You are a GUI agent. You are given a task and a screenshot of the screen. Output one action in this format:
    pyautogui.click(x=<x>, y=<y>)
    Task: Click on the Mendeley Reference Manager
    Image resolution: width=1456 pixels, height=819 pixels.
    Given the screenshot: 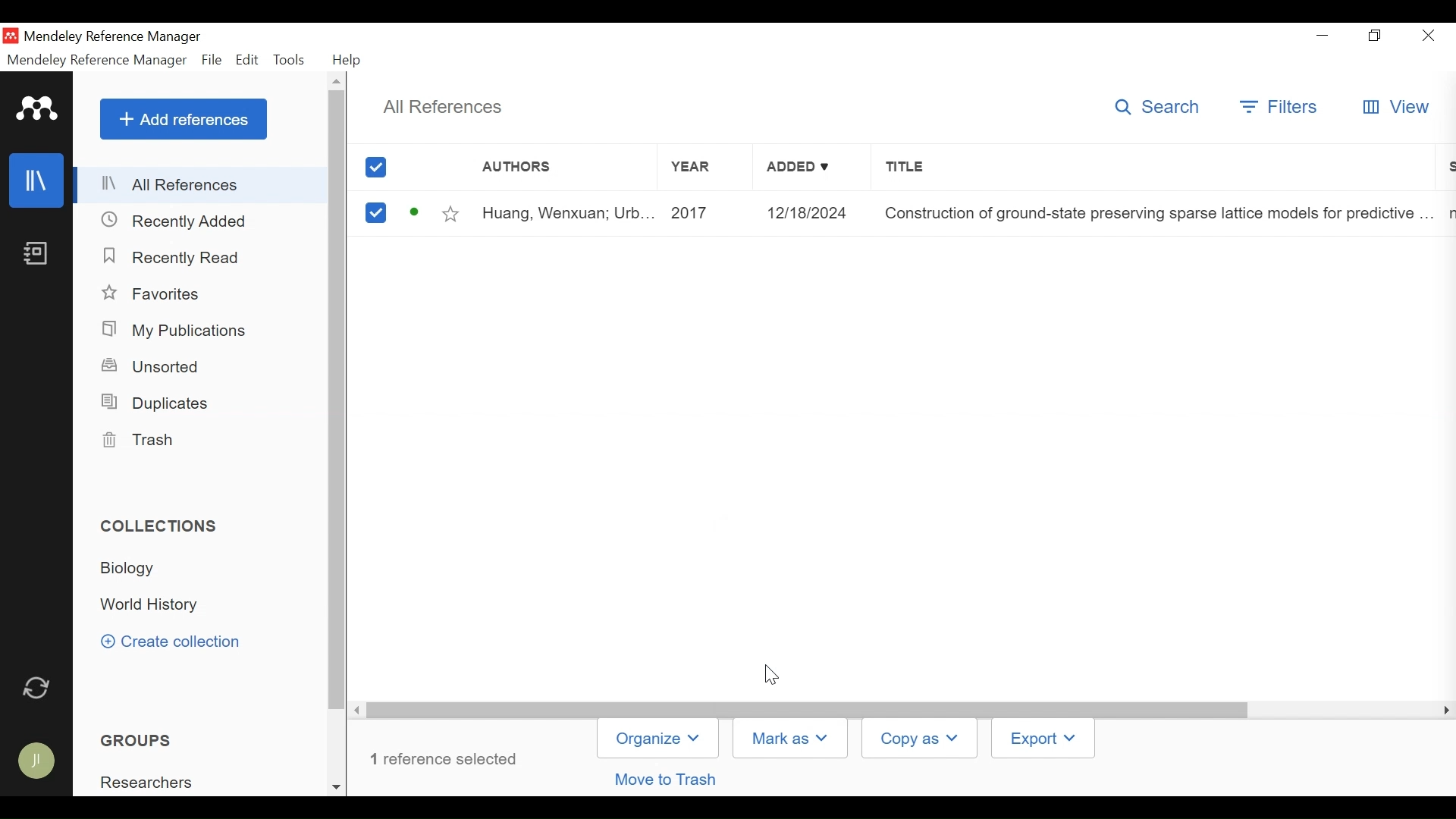 What is the action you would take?
    pyautogui.click(x=120, y=36)
    